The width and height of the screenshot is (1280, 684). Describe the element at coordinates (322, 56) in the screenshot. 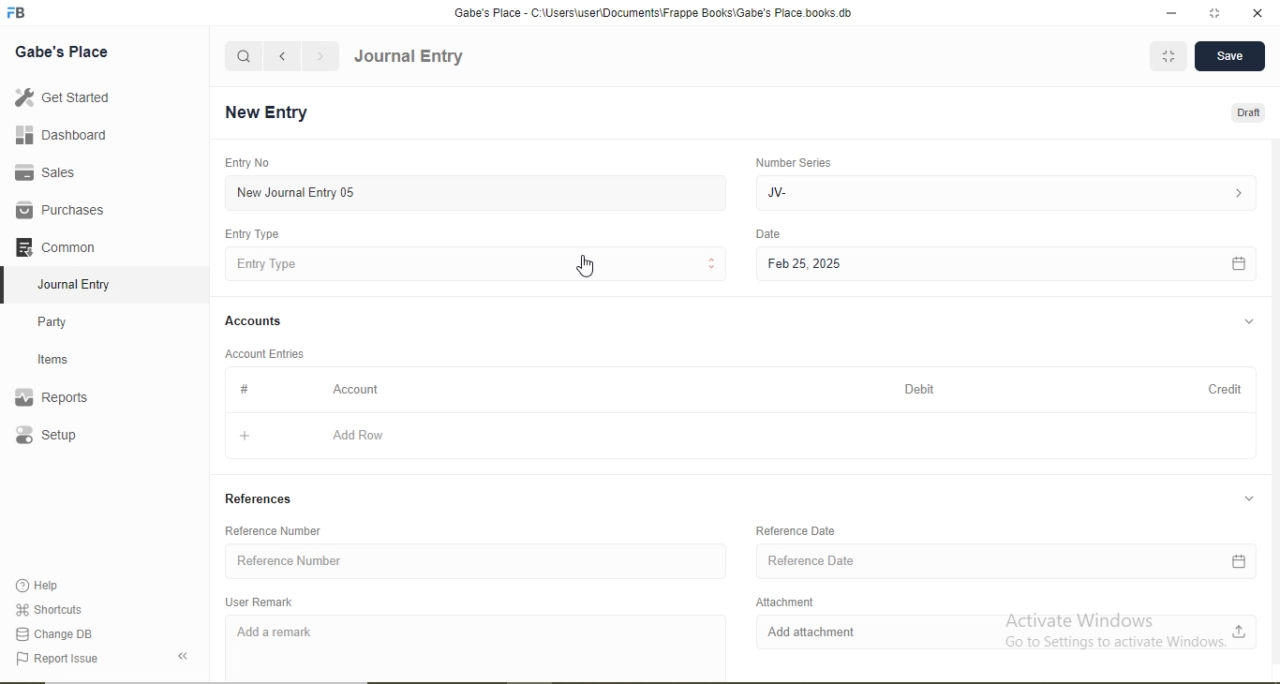

I see `navigate forward` at that location.